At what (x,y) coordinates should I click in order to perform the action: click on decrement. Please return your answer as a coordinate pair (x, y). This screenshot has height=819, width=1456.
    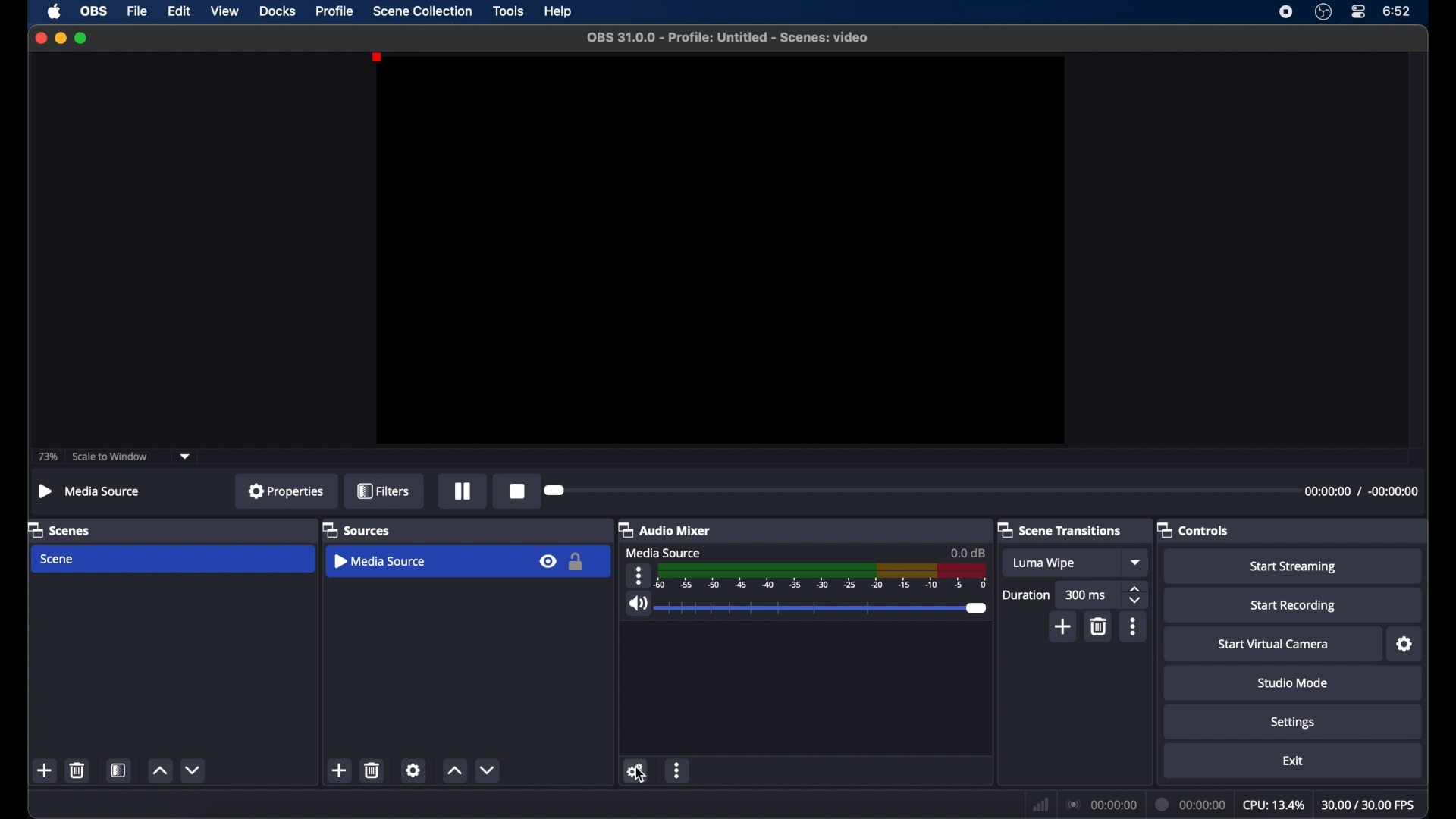
    Looking at the image, I should click on (193, 770).